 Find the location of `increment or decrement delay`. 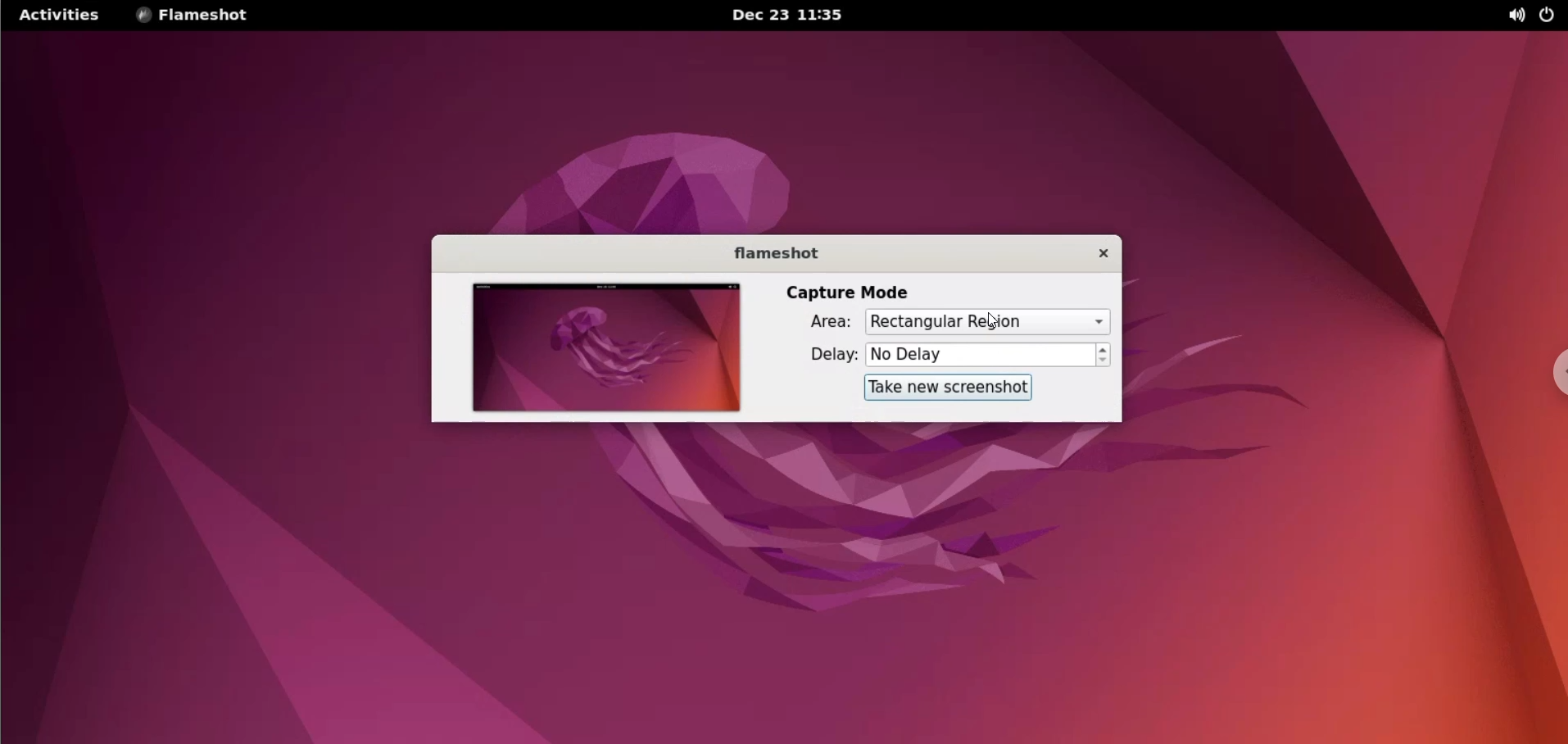

increment or decrement delay is located at coordinates (1102, 355).